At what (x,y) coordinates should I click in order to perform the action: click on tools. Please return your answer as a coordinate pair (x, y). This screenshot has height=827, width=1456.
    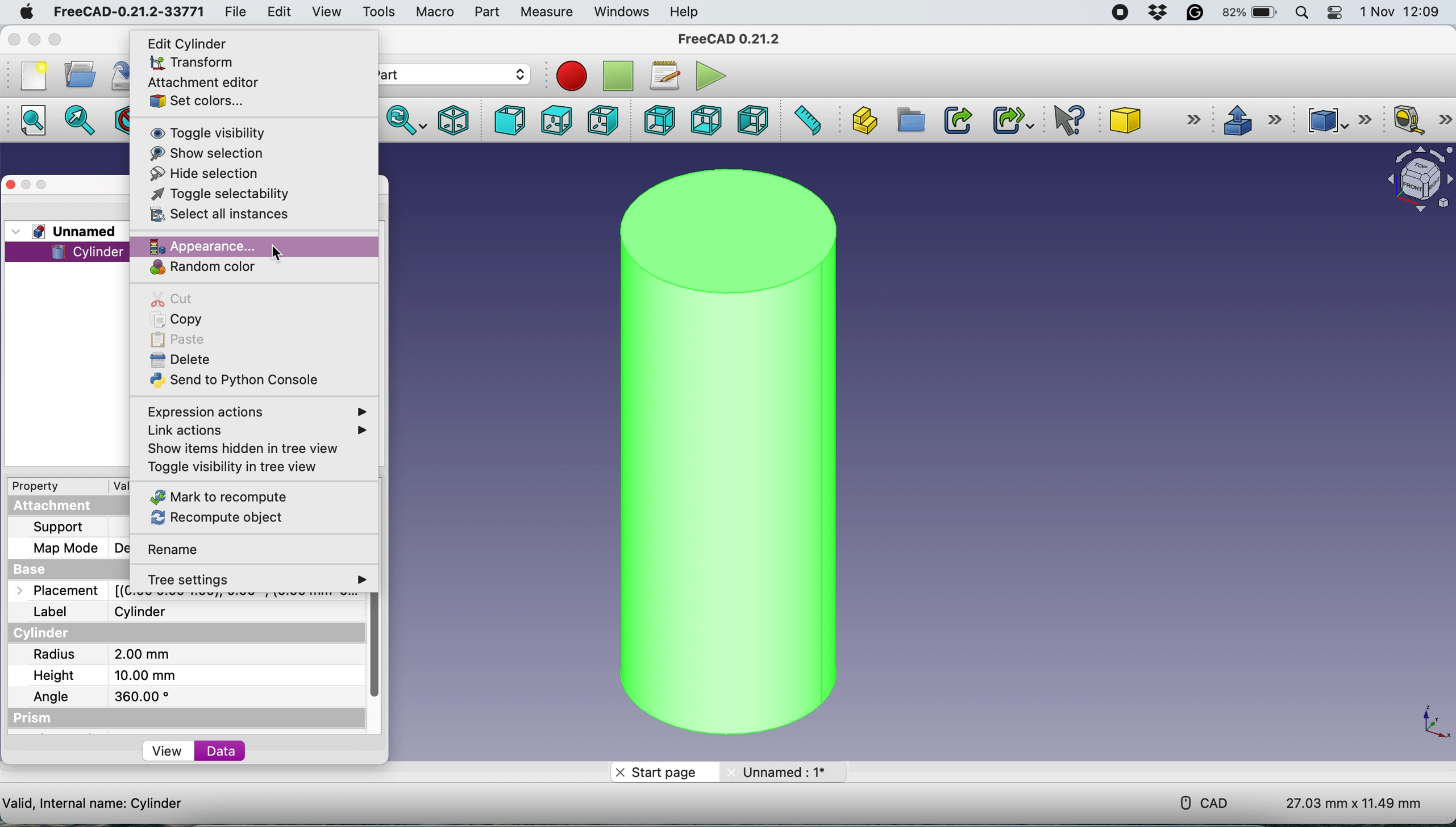
    Looking at the image, I should click on (382, 12).